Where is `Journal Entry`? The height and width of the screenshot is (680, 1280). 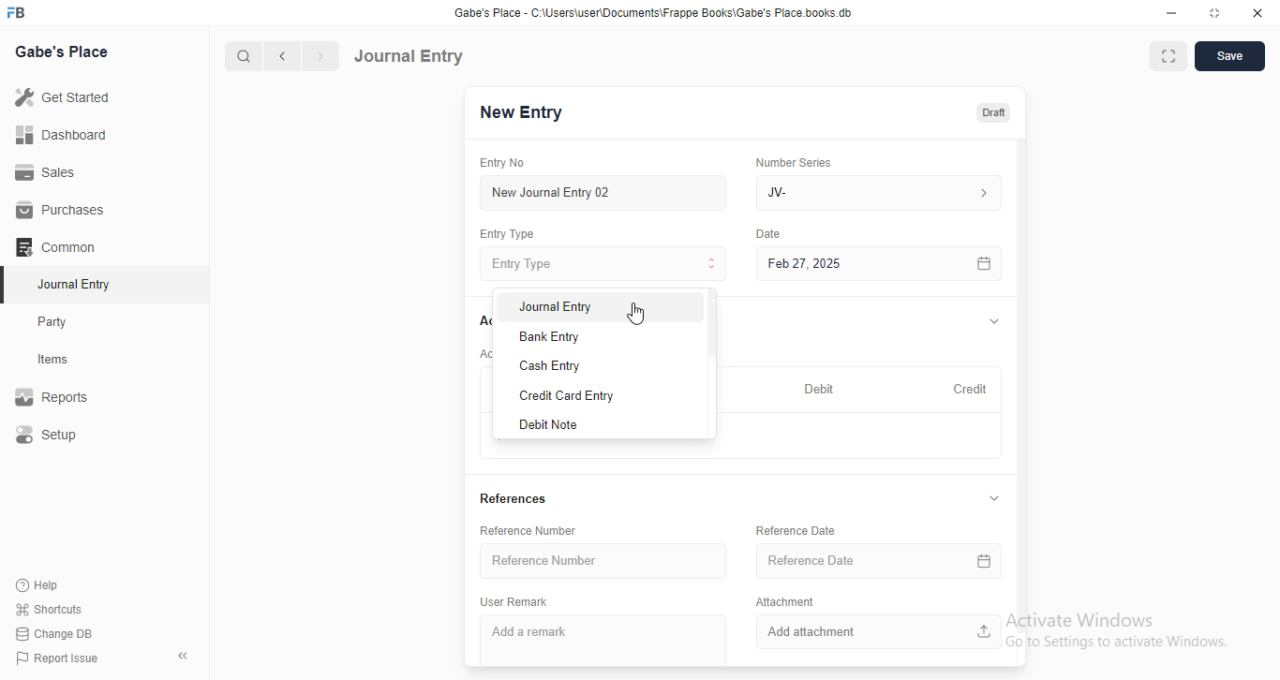 Journal Entry is located at coordinates (553, 308).